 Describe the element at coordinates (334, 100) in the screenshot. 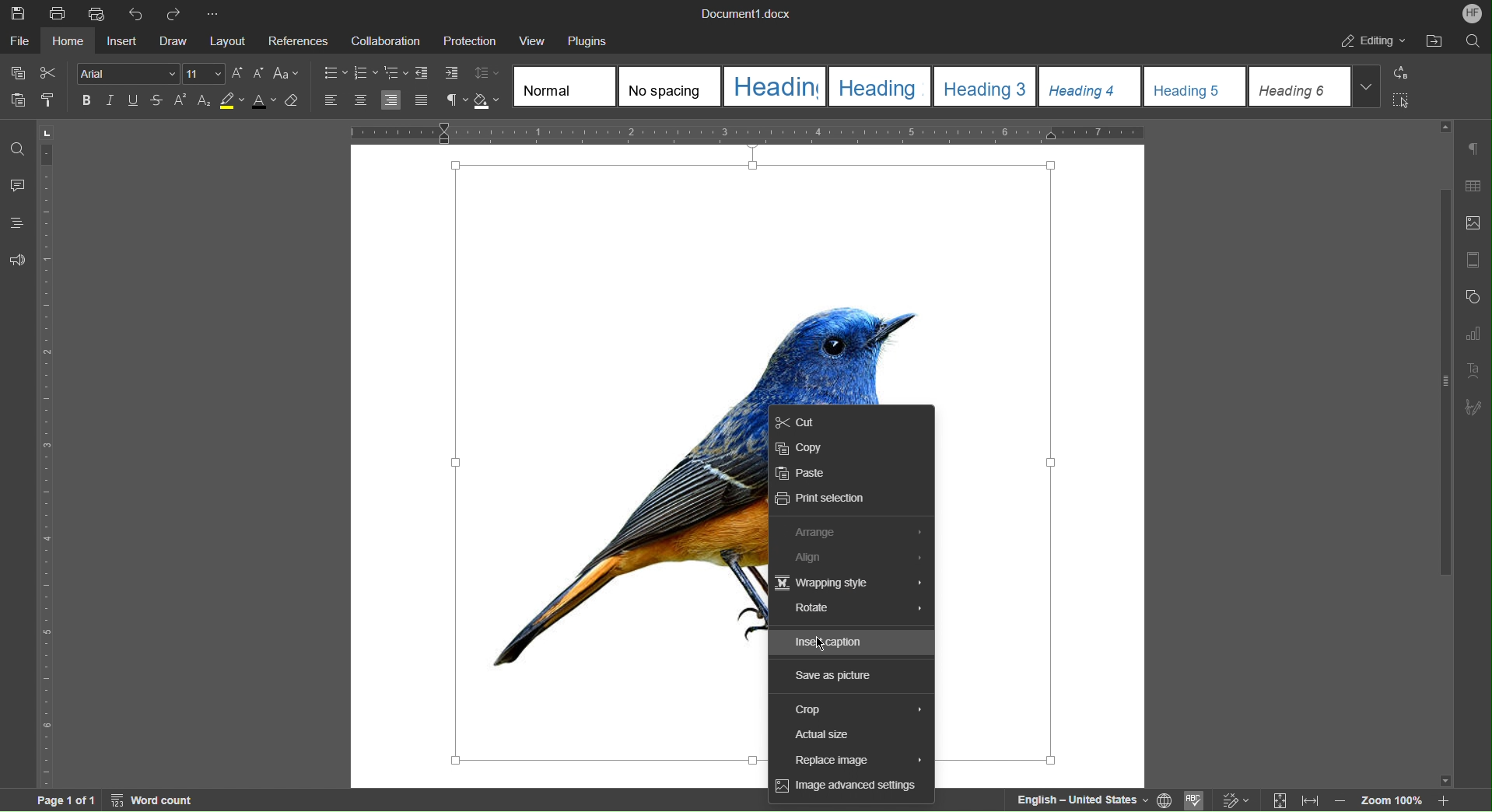

I see `Align Left` at that location.